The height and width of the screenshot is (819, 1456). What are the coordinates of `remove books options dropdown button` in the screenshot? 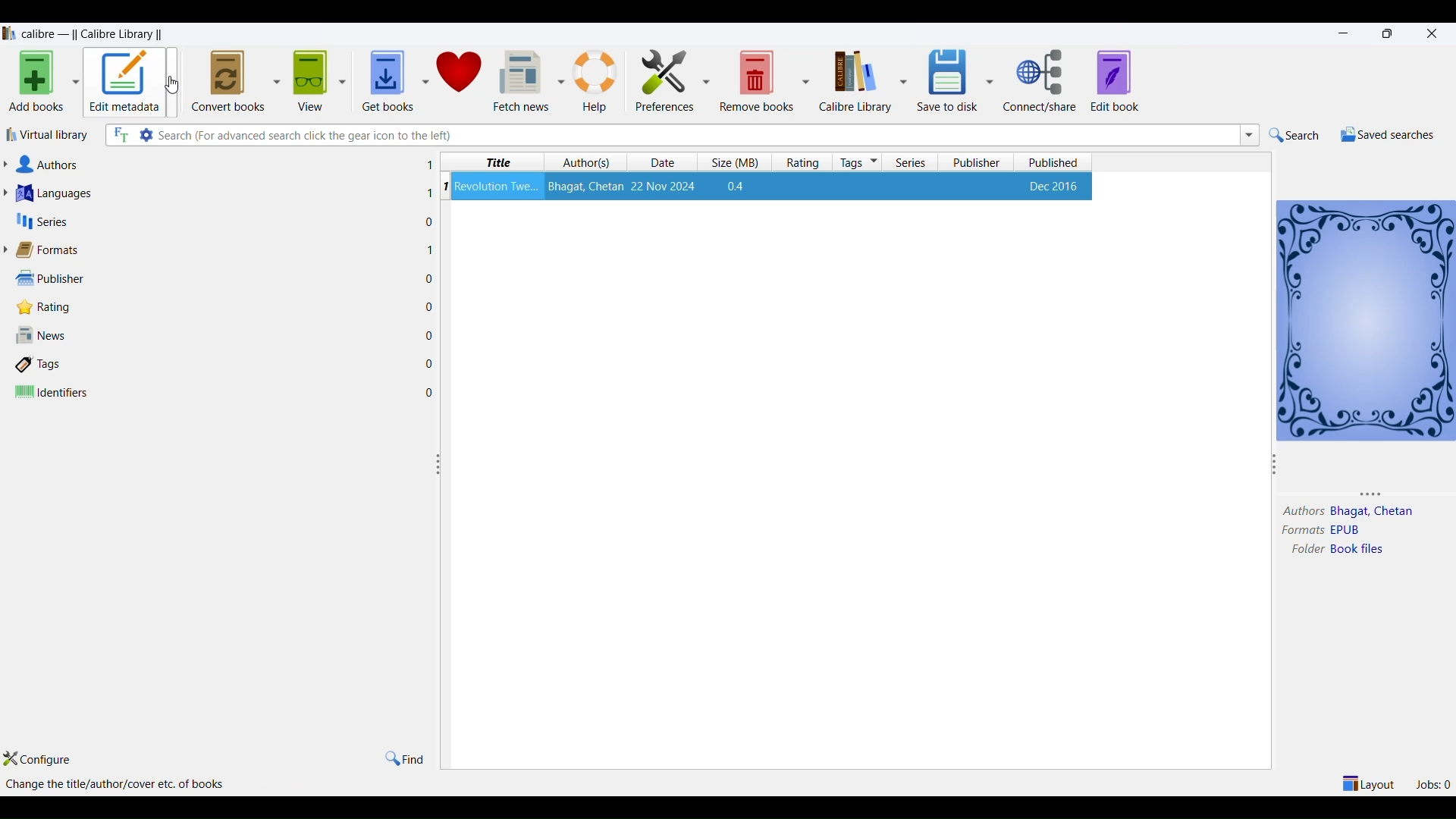 It's located at (806, 76).